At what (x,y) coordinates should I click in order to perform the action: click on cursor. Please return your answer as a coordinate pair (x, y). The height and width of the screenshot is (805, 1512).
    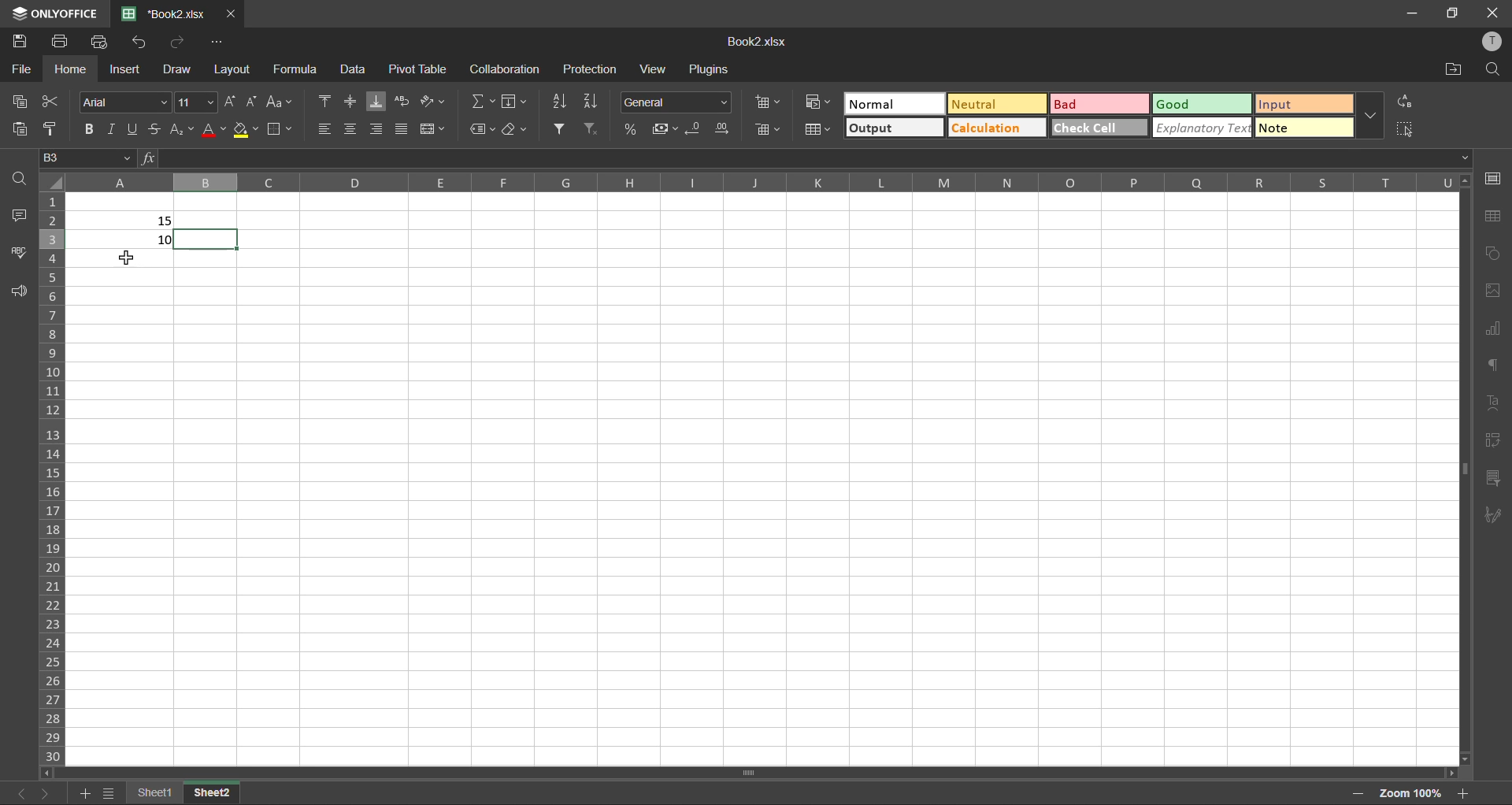
    Looking at the image, I should click on (124, 257).